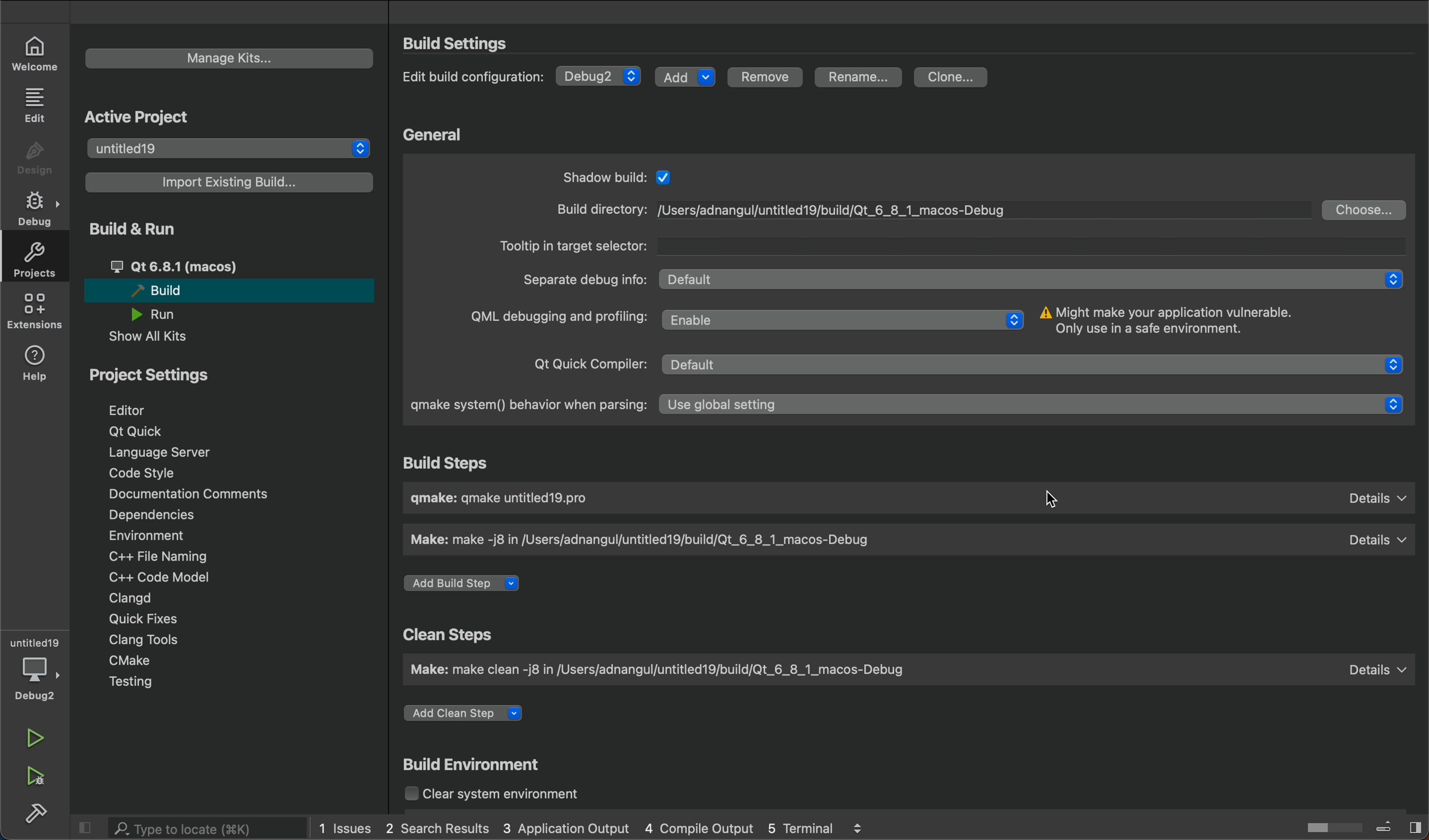 Image resolution: width=1429 pixels, height=840 pixels. What do you see at coordinates (460, 43) in the screenshot?
I see `build setting` at bounding box center [460, 43].